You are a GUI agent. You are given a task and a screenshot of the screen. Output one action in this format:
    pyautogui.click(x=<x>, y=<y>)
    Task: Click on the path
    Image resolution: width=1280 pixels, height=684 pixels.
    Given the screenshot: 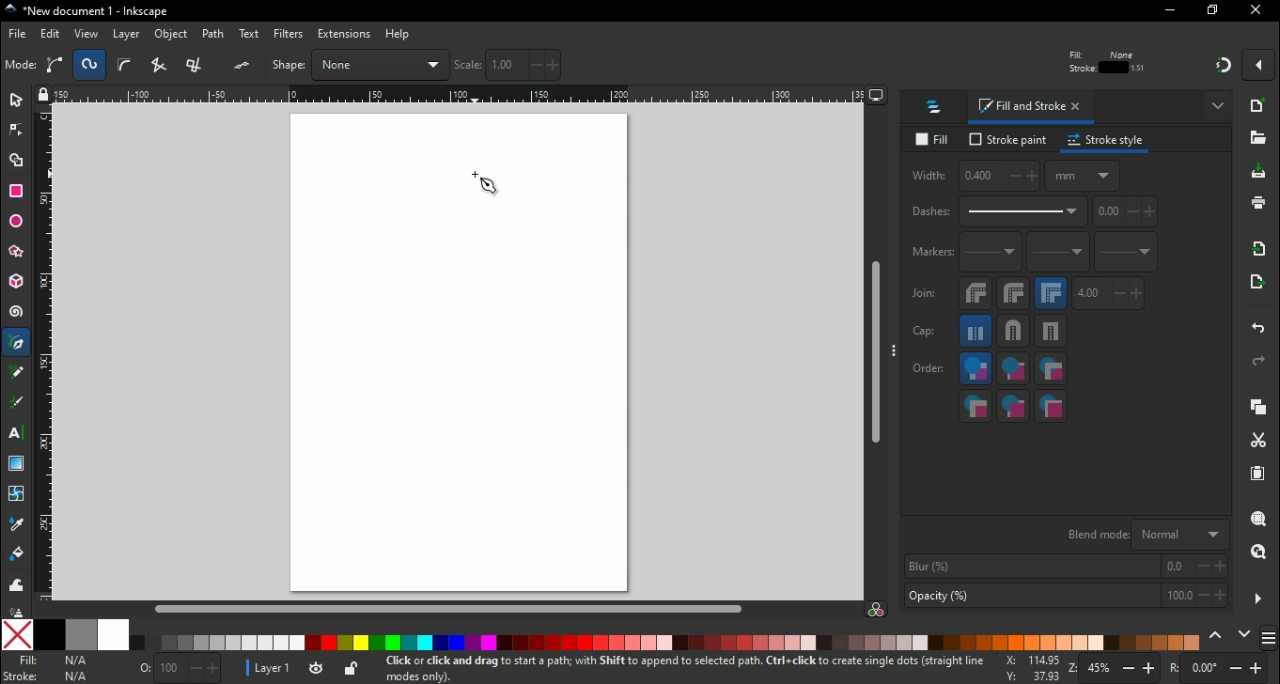 What is the action you would take?
    pyautogui.click(x=216, y=34)
    